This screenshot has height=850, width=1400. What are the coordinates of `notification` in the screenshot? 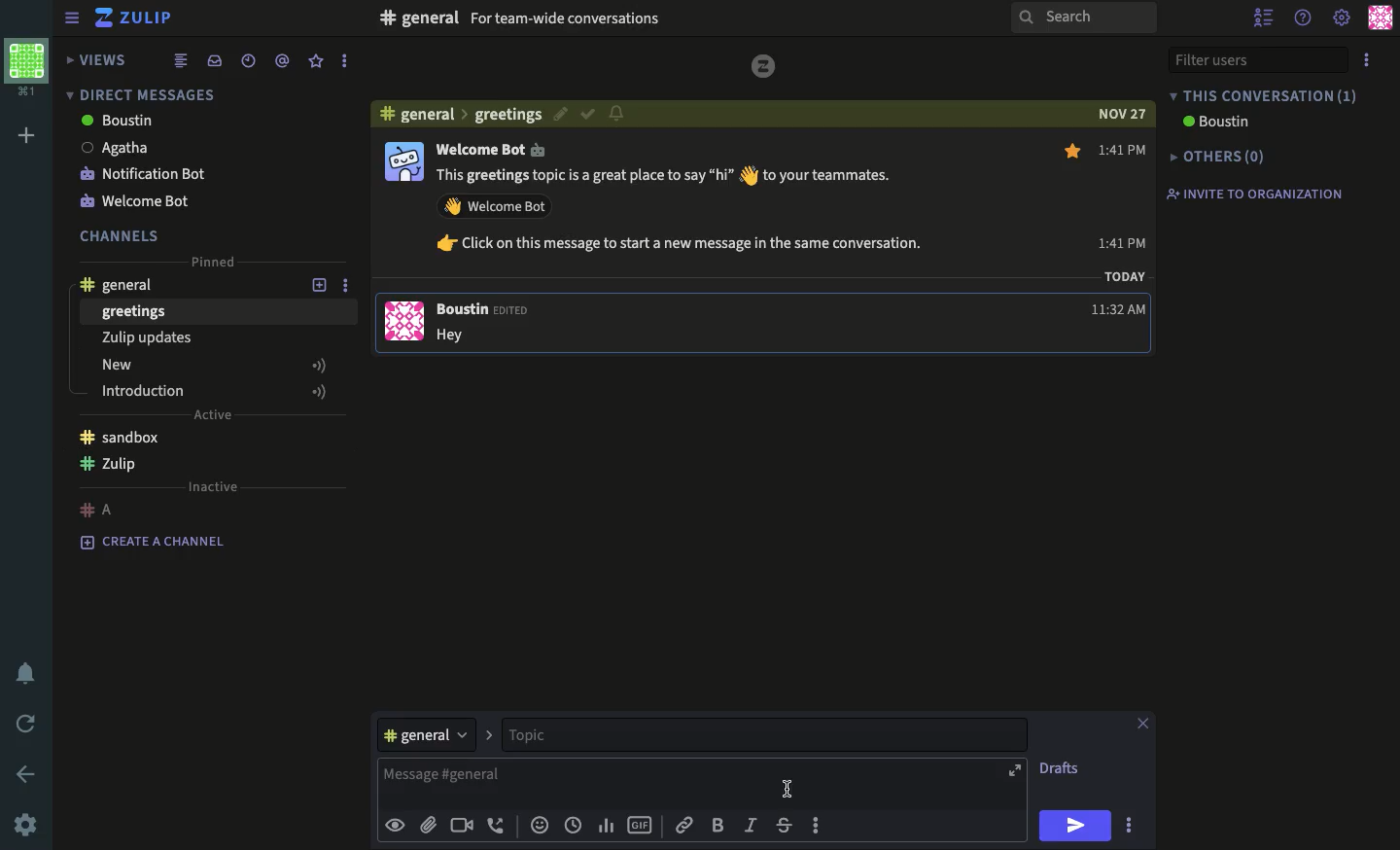 It's located at (30, 674).